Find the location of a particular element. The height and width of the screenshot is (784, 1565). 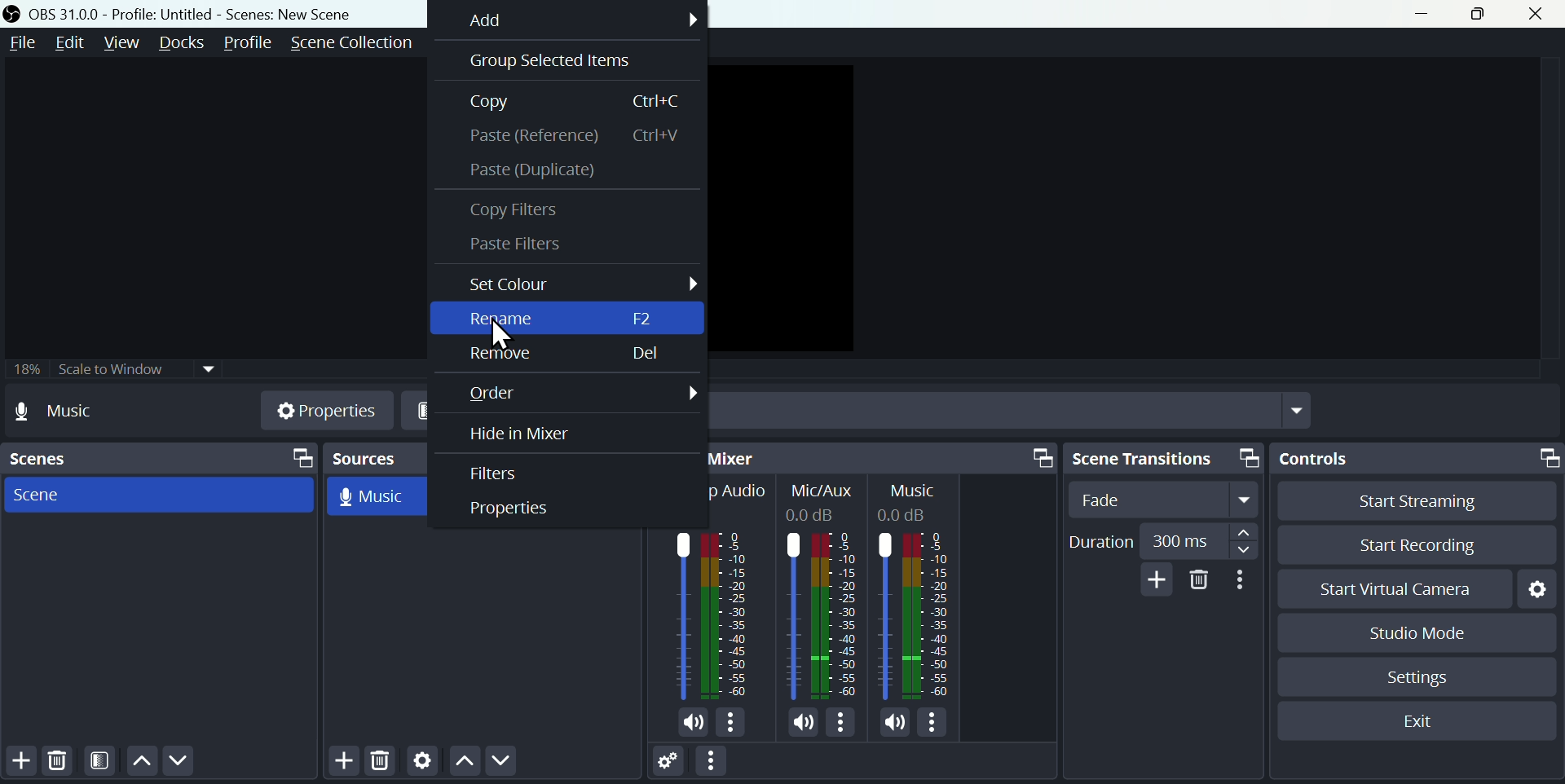

Scene collection is located at coordinates (355, 42).